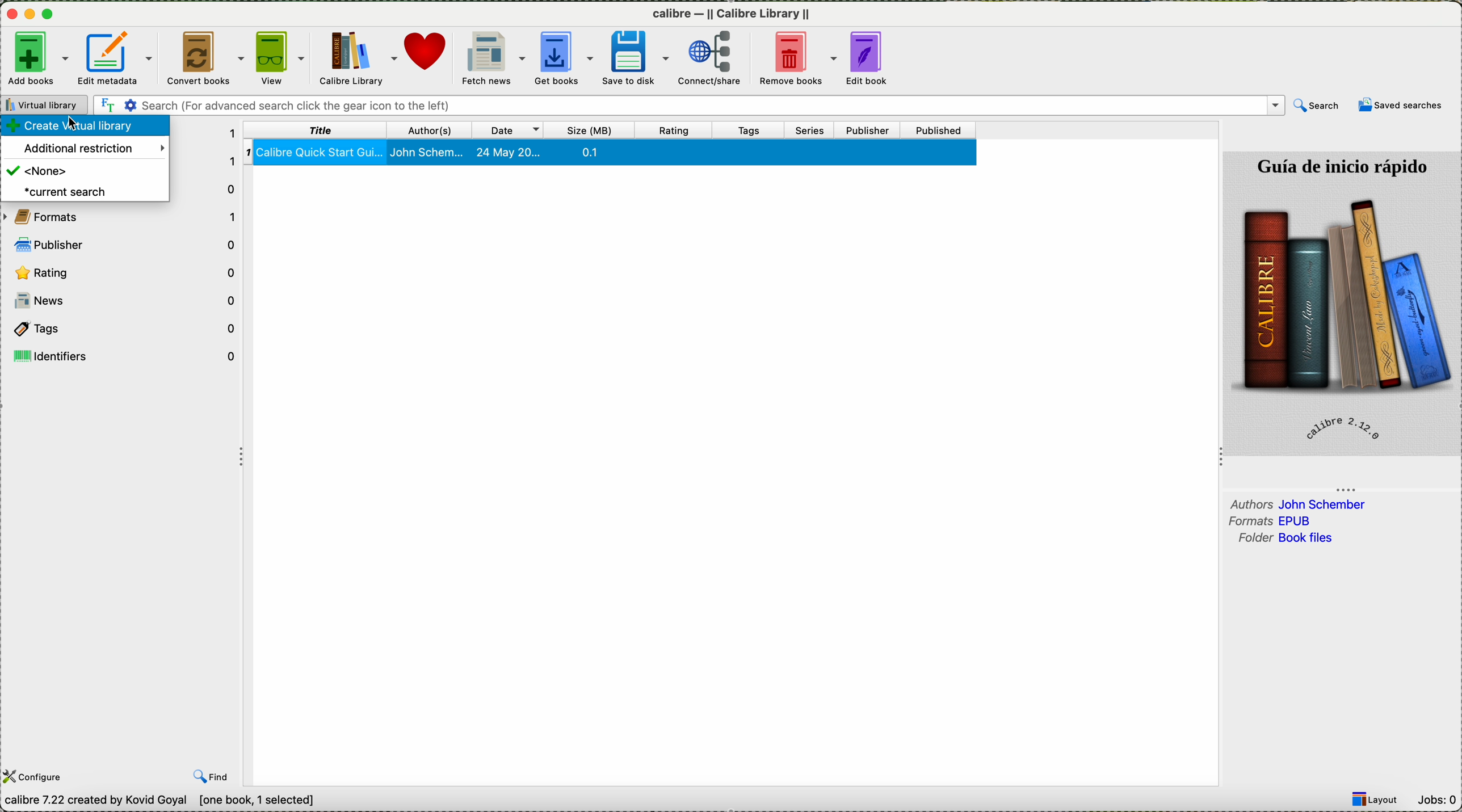 Image resolution: width=1462 pixels, height=812 pixels. What do you see at coordinates (565, 60) in the screenshot?
I see `get books` at bounding box center [565, 60].